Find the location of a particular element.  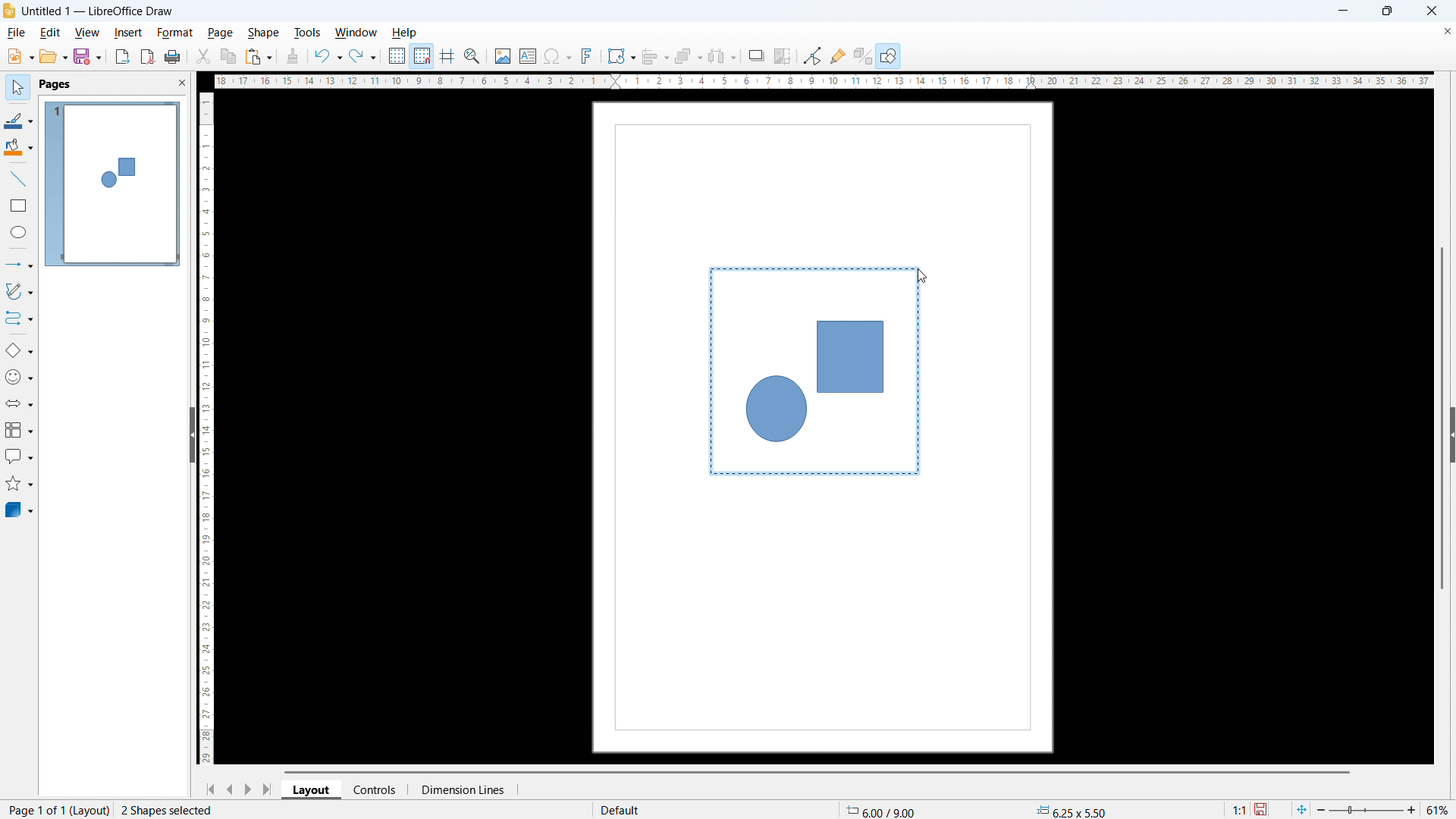

open is located at coordinates (53, 57).